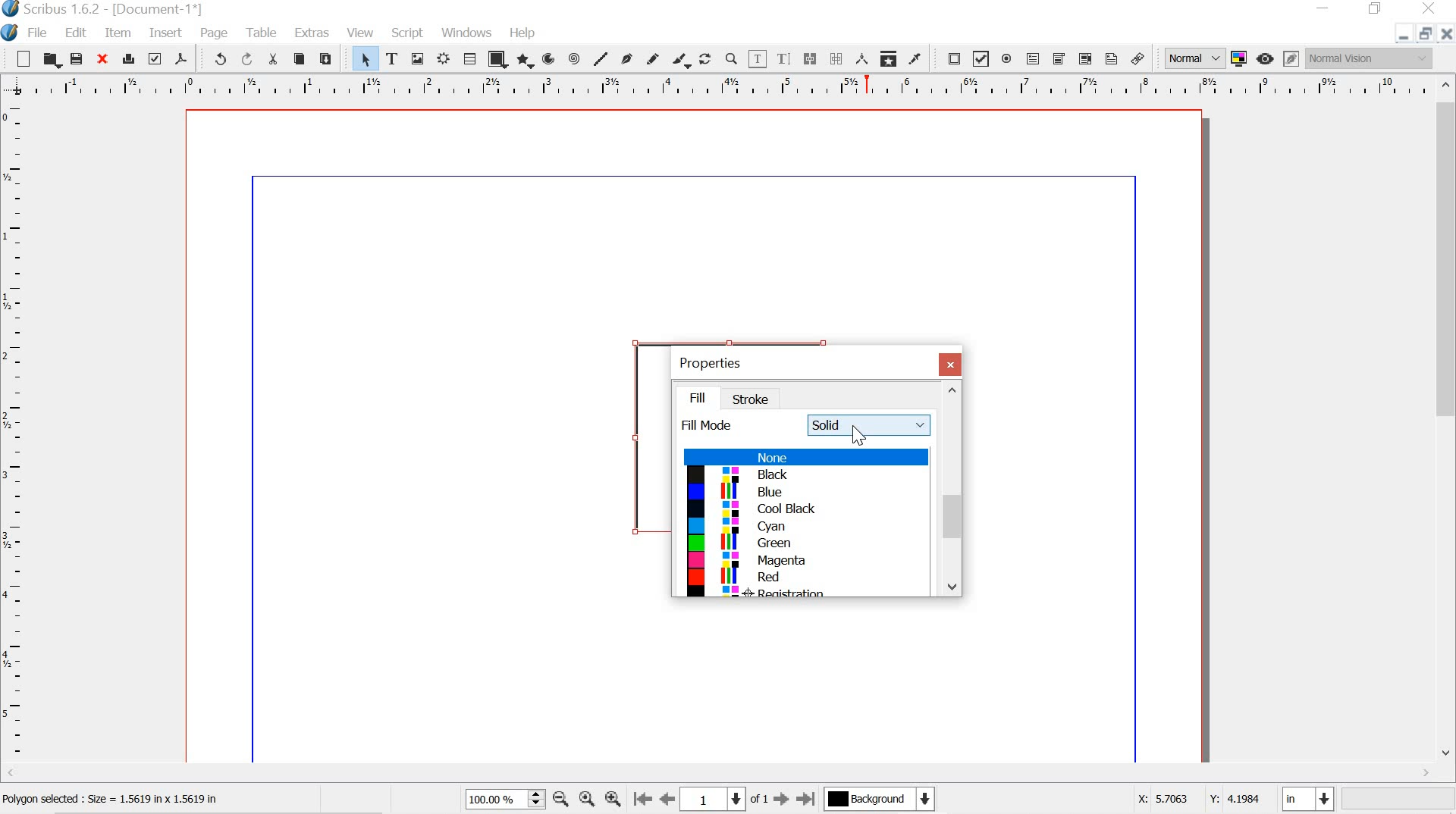 Image resolution: width=1456 pixels, height=814 pixels. Describe the element at coordinates (1289, 58) in the screenshot. I see `edit in preview mode` at that location.